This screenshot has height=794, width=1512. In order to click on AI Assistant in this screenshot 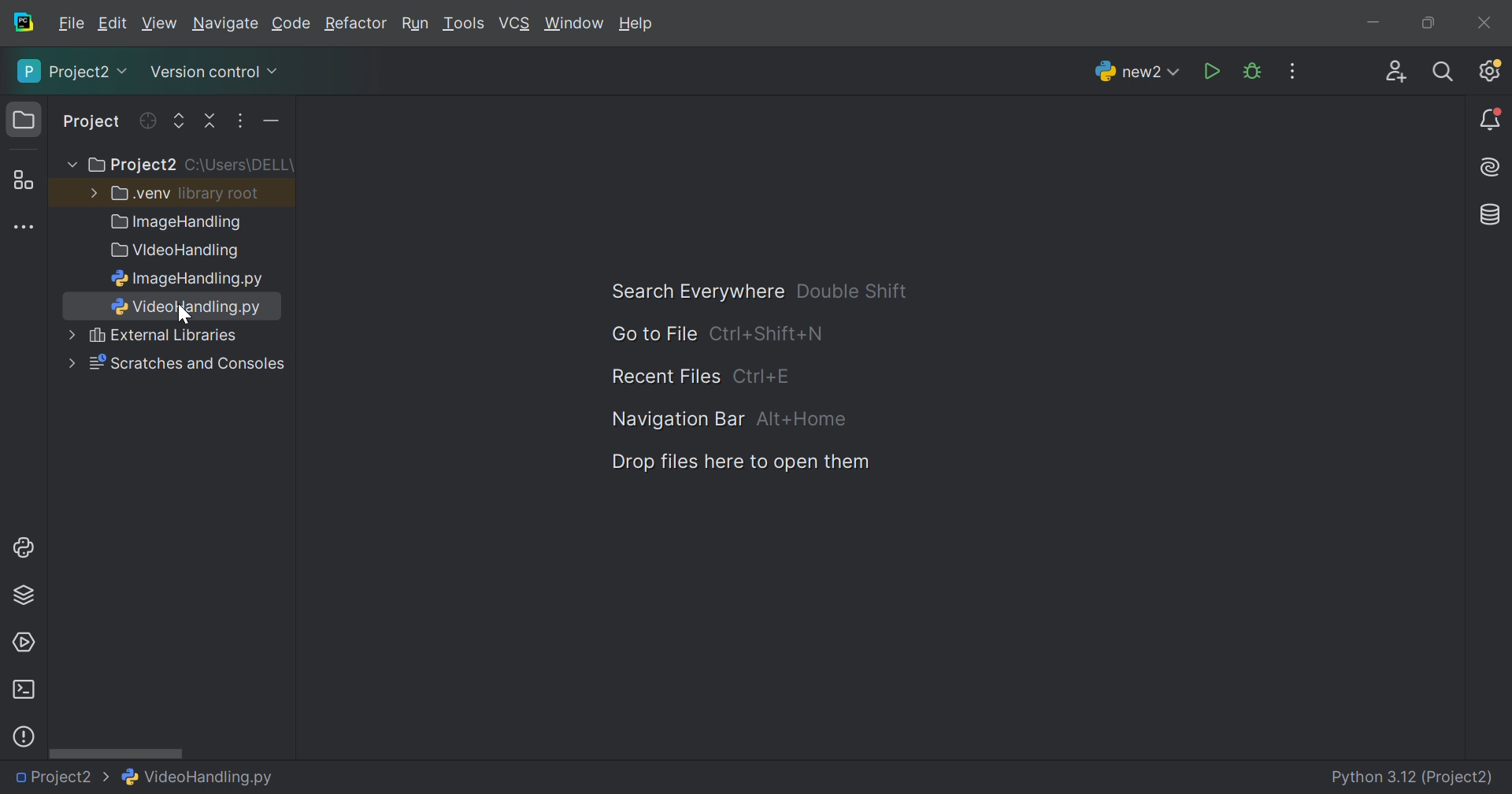, I will do `click(1492, 168)`.